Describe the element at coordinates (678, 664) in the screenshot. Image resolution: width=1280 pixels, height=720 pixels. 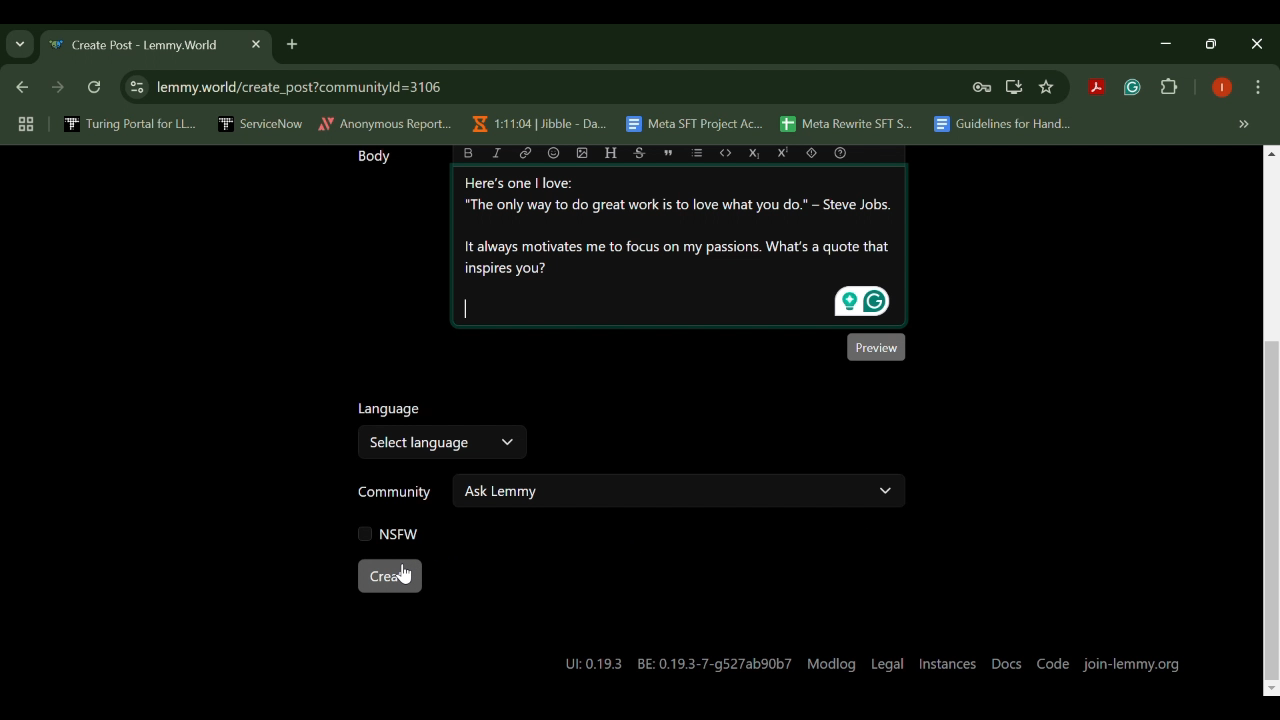
I see `UL0.19.3 BE: 0.19.3-7-g527ab90b7` at that location.